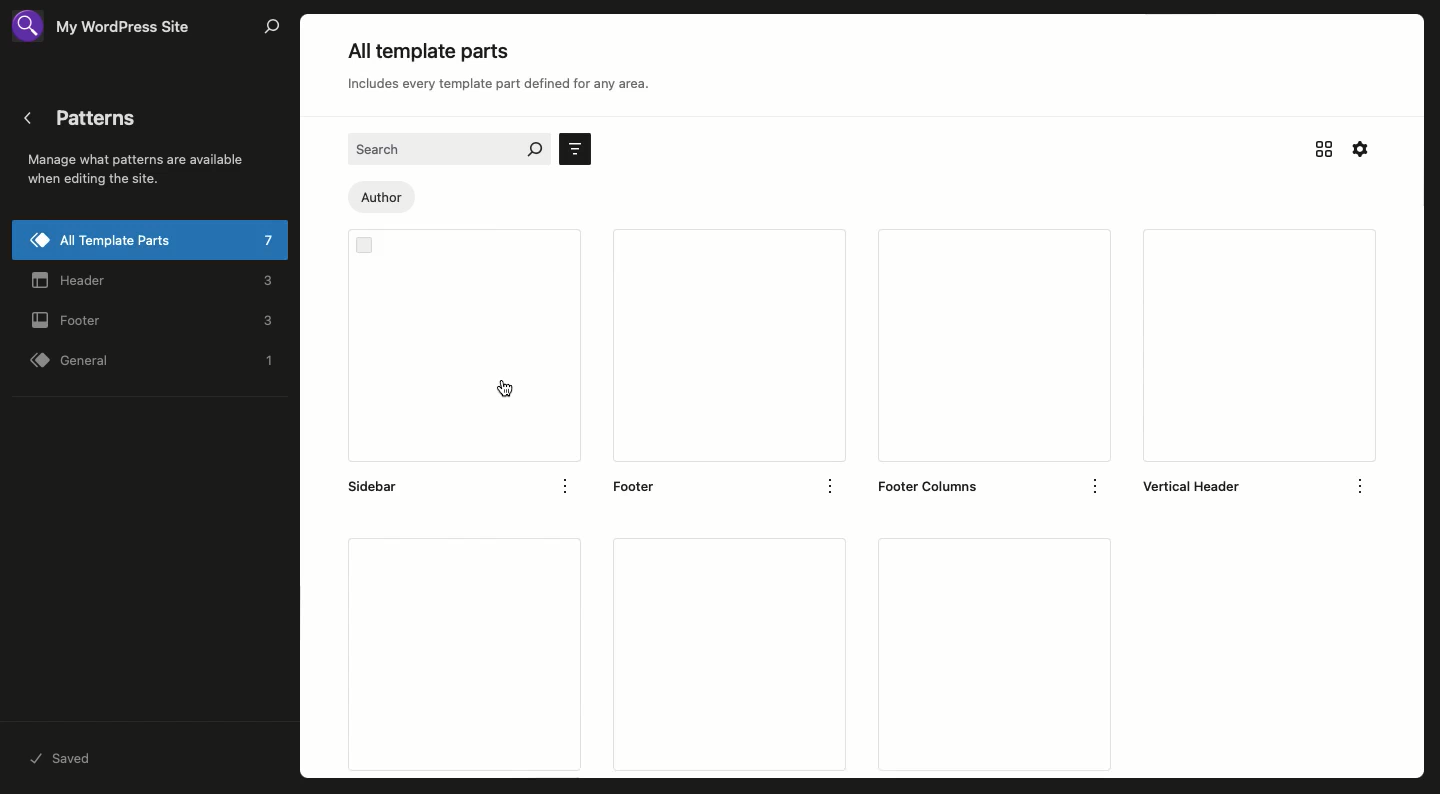  What do you see at coordinates (112, 27) in the screenshot?
I see `Site` at bounding box center [112, 27].